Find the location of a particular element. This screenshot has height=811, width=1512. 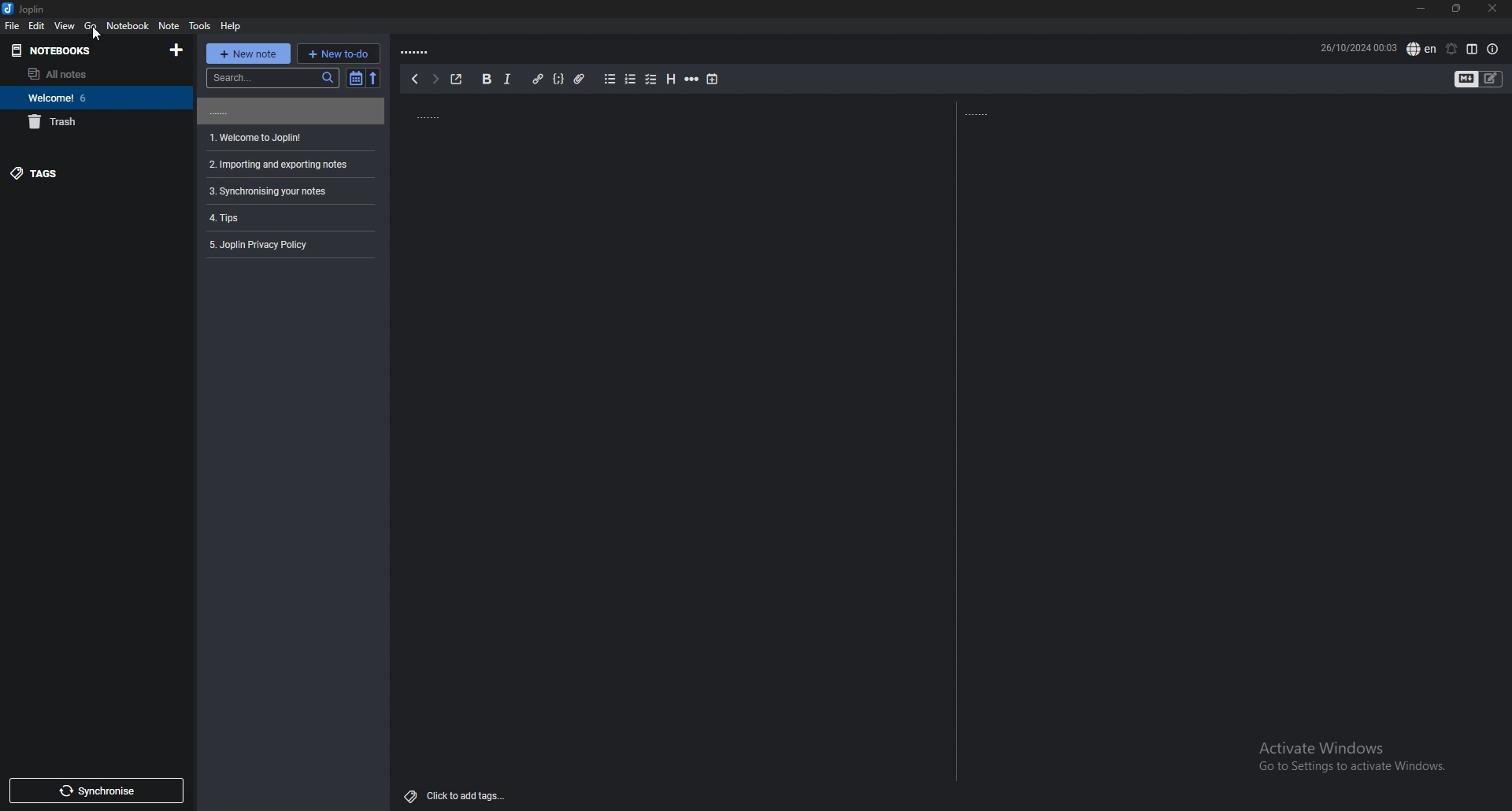

toggle editor layout is located at coordinates (1473, 49).